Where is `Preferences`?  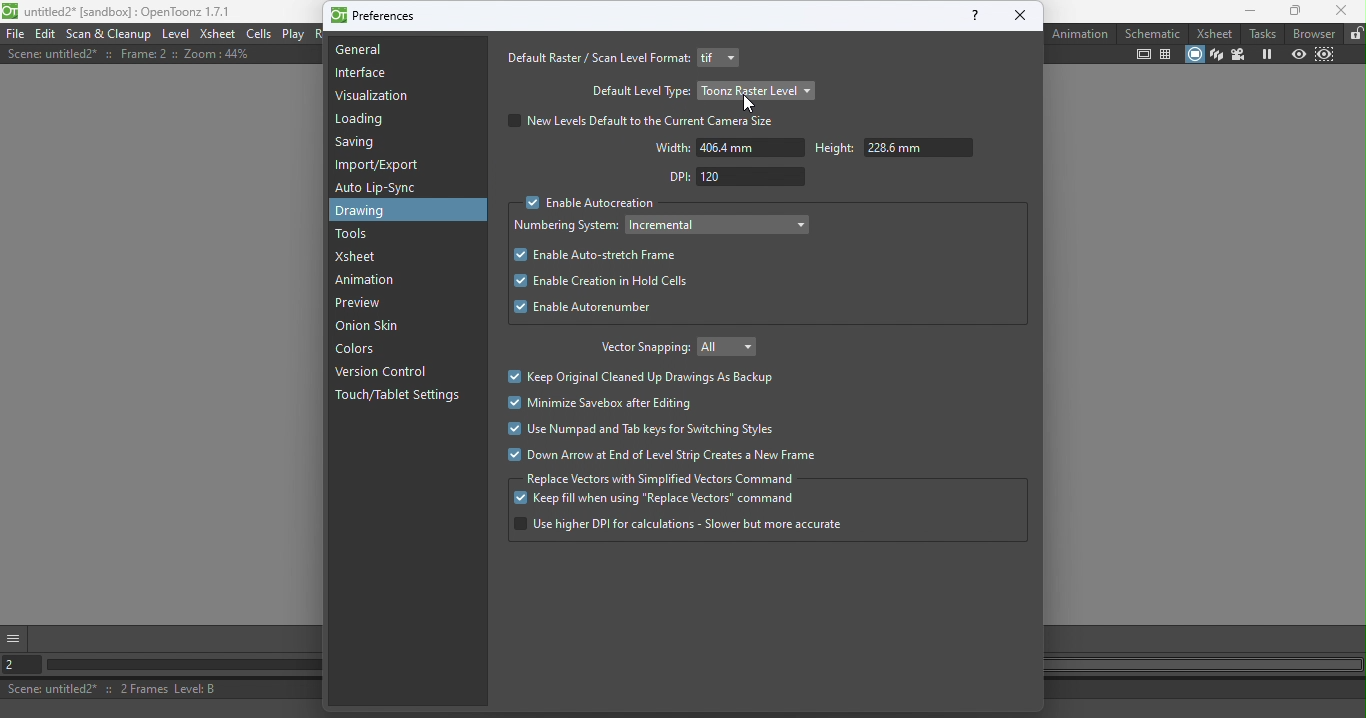 Preferences is located at coordinates (376, 14).